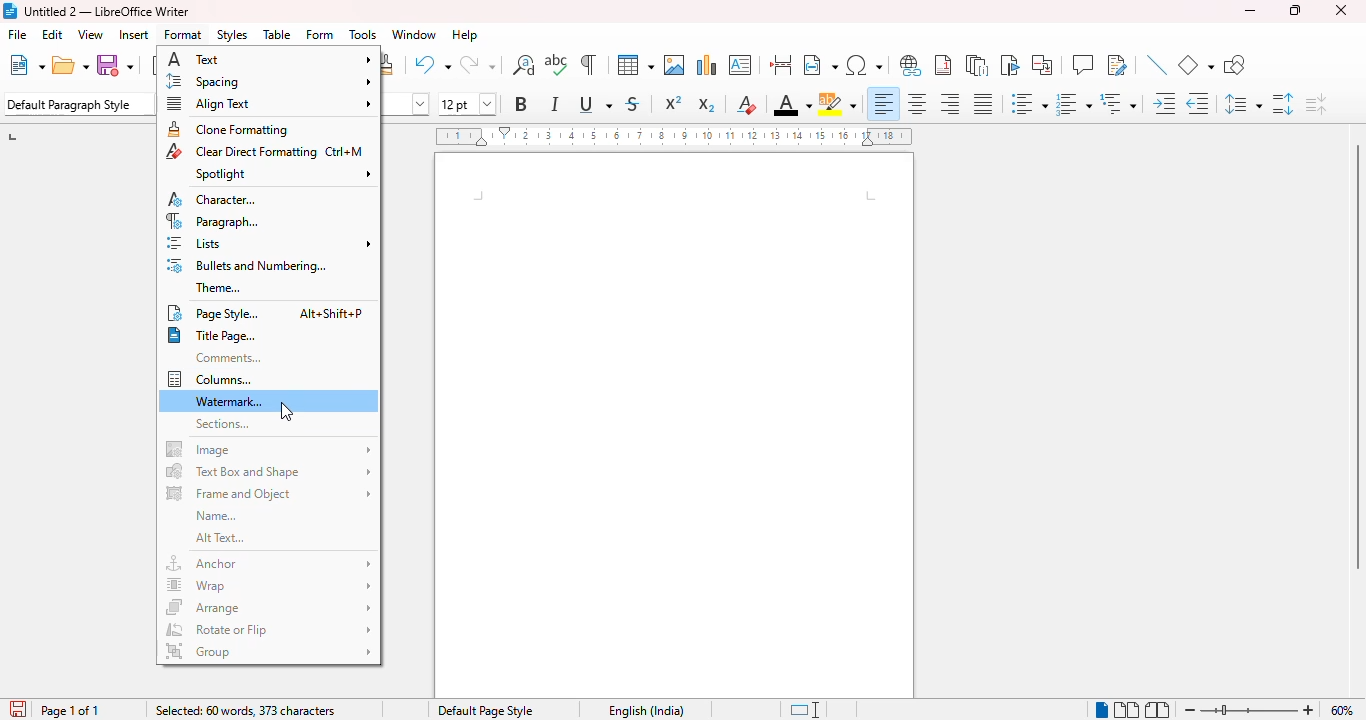  Describe the element at coordinates (587, 64) in the screenshot. I see `toggle formatting marks` at that location.